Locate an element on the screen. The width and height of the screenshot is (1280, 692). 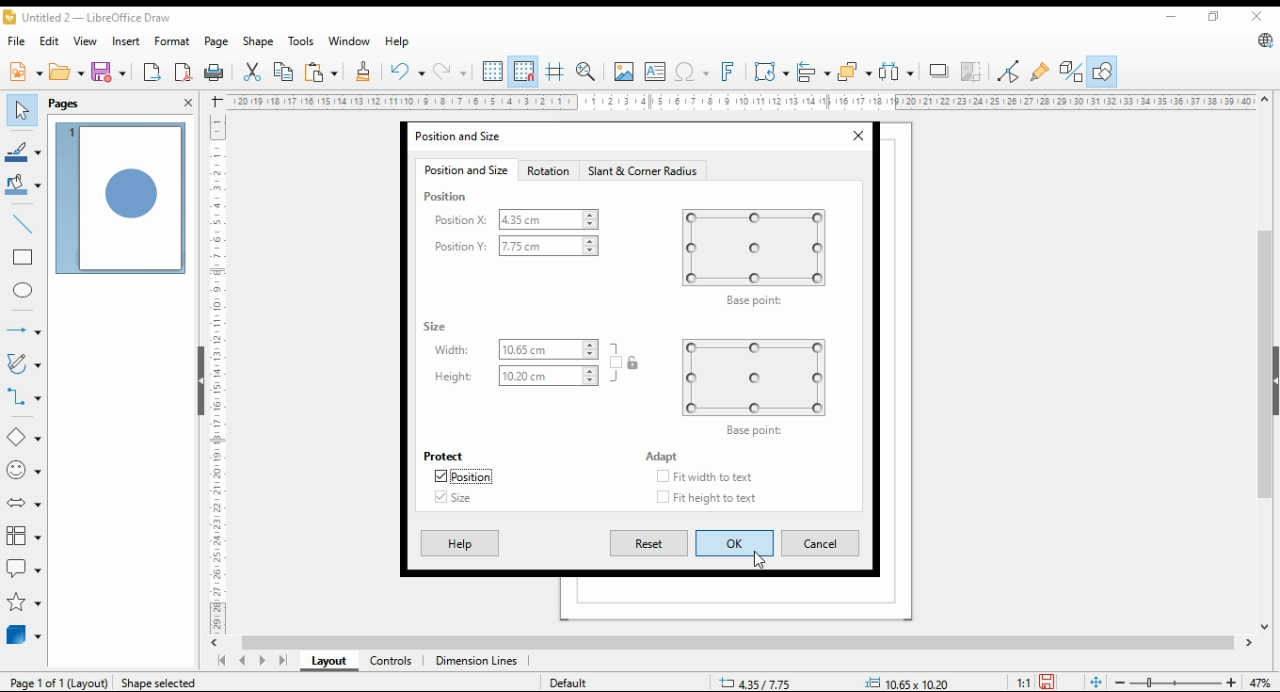
Page 1 of 1 (layout) is located at coordinates (60, 684).